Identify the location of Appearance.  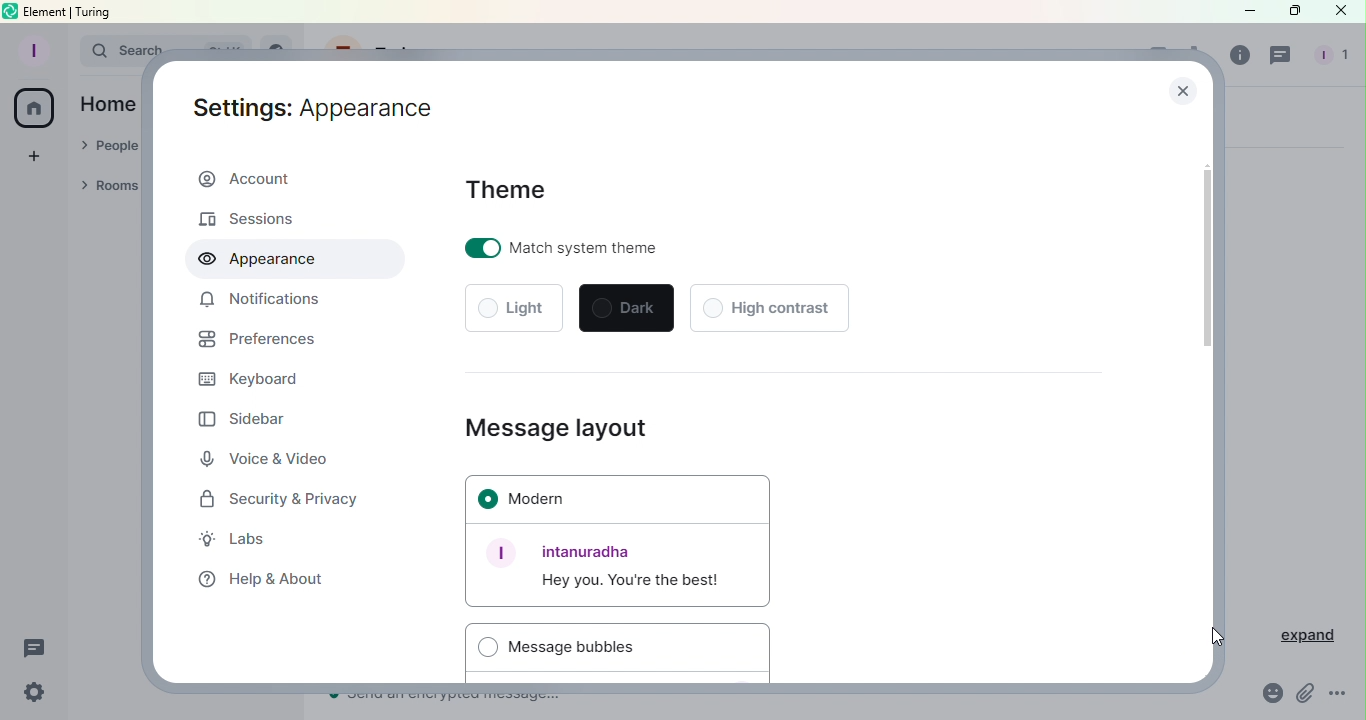
(295, 258).